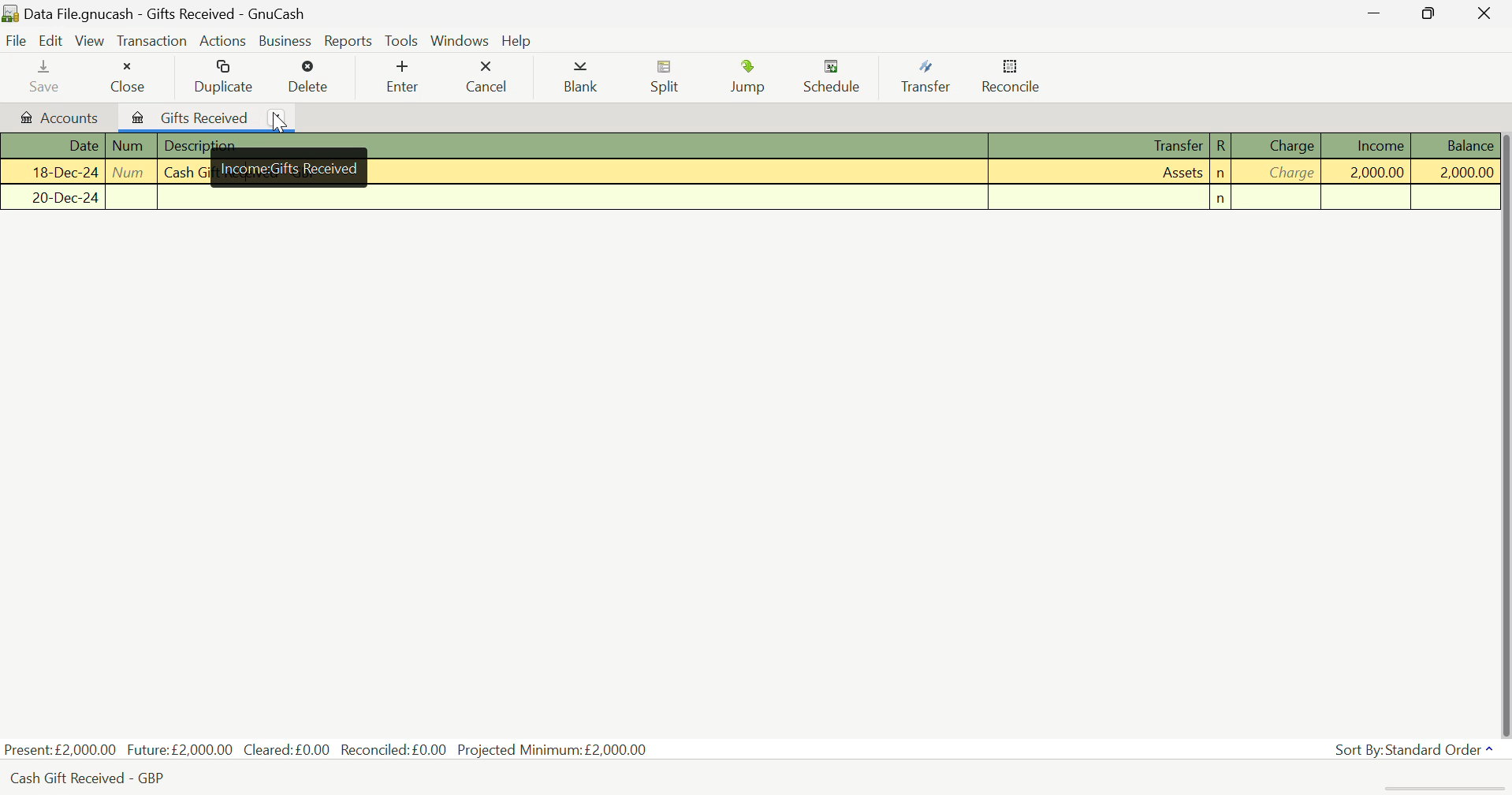 The width and height of the screenshot is (1512, 795). I want to click on Cash Gift Received - GBP, so click(99, 778).